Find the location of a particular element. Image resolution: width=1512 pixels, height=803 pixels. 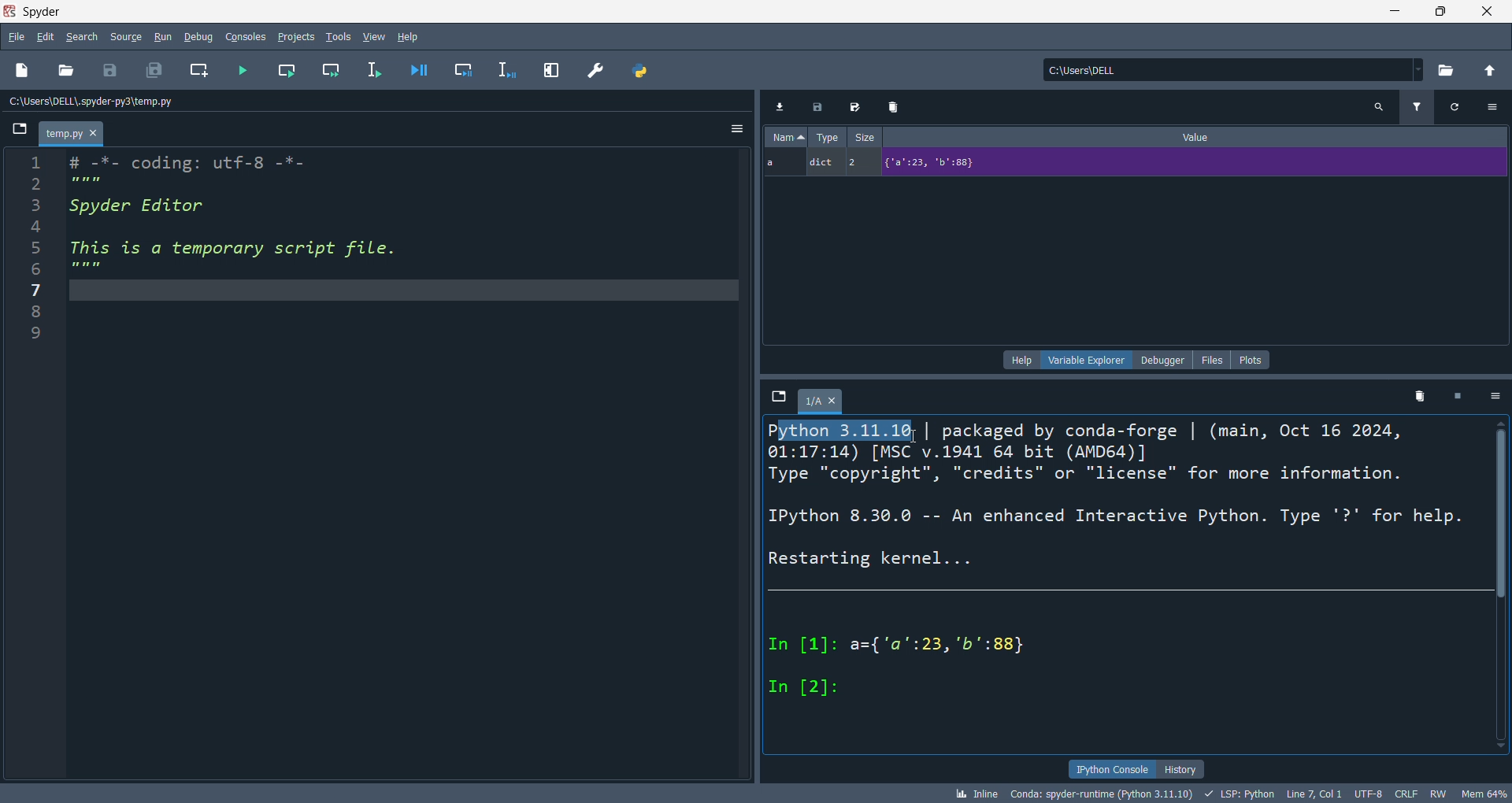

run file is located at coordinates (244, 68).